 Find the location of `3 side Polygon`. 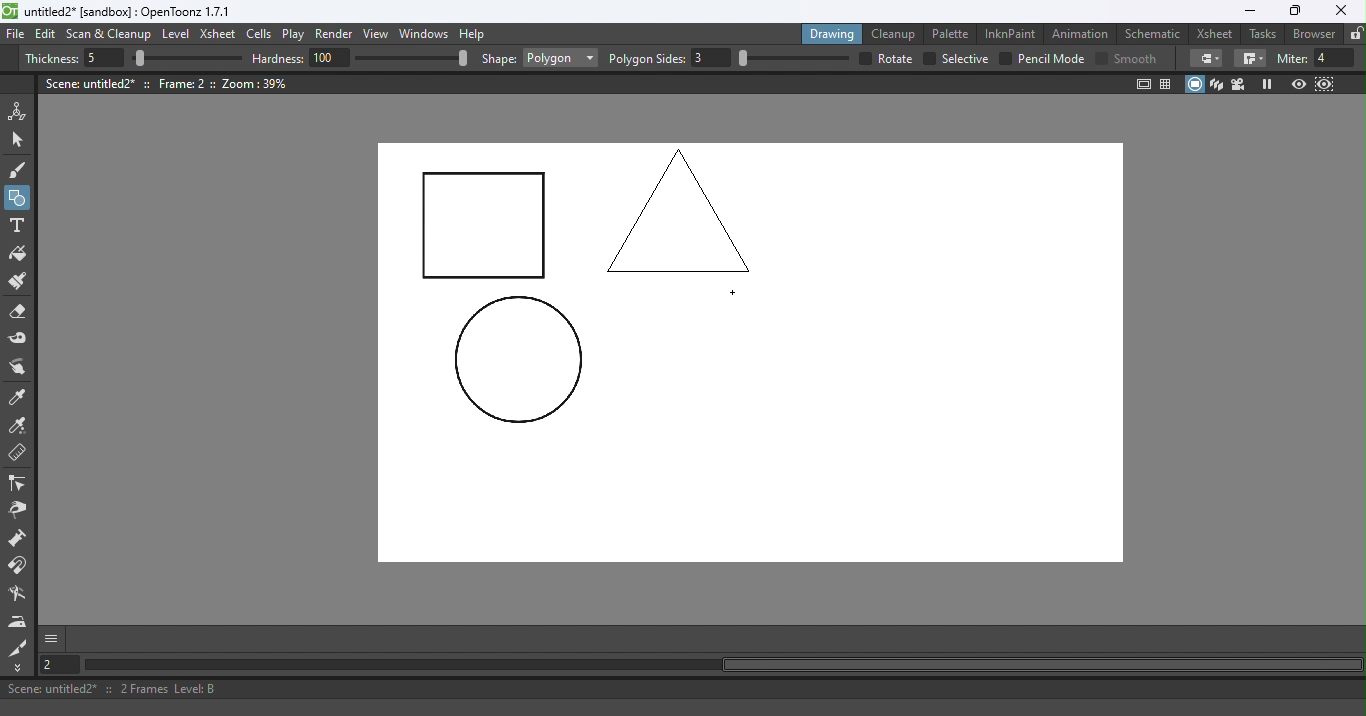

3 side Polygon is located at coordinates (680, 209).